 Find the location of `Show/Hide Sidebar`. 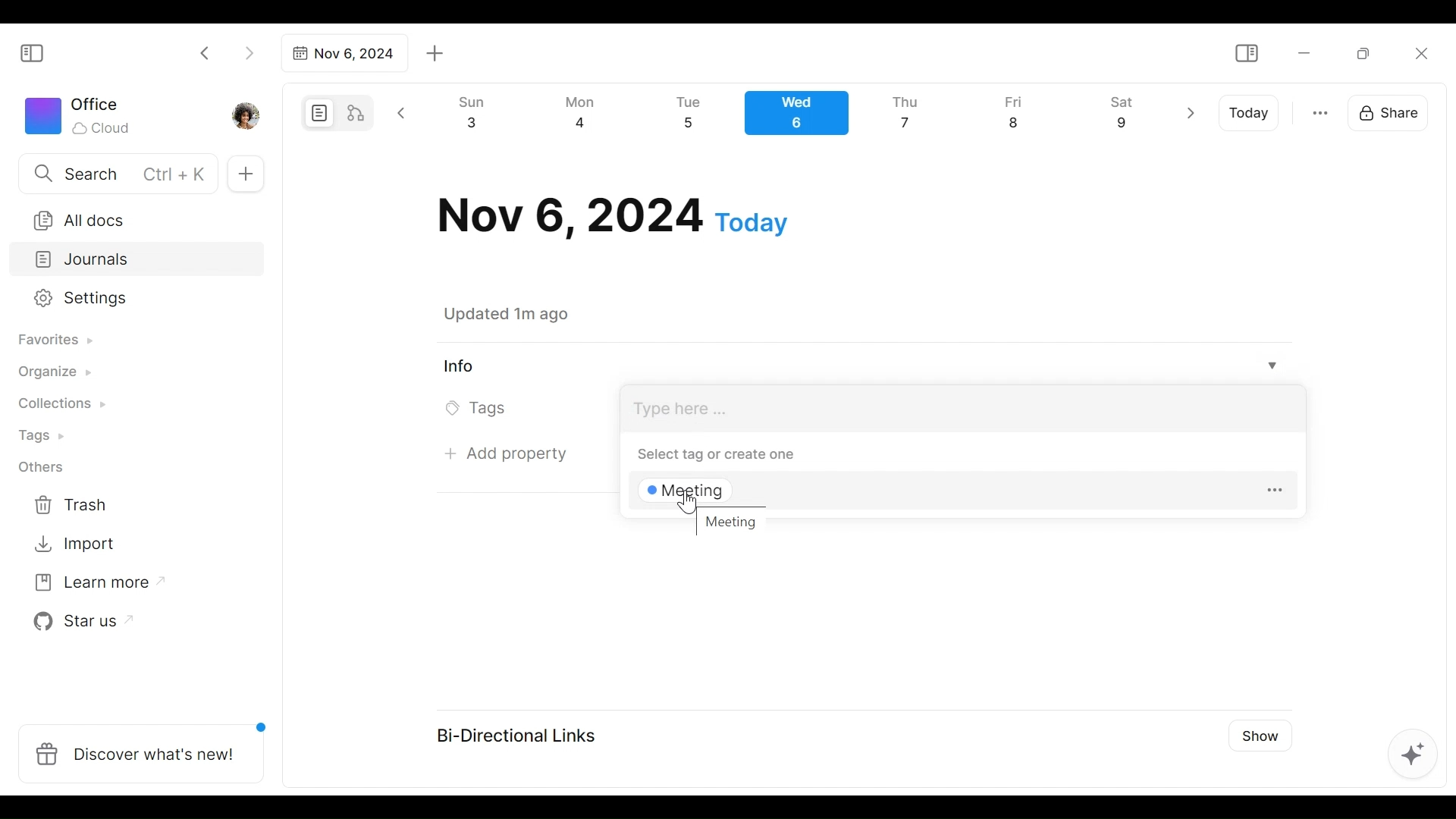

Show/Hide Sidebar is located at coordinates (39, 52).